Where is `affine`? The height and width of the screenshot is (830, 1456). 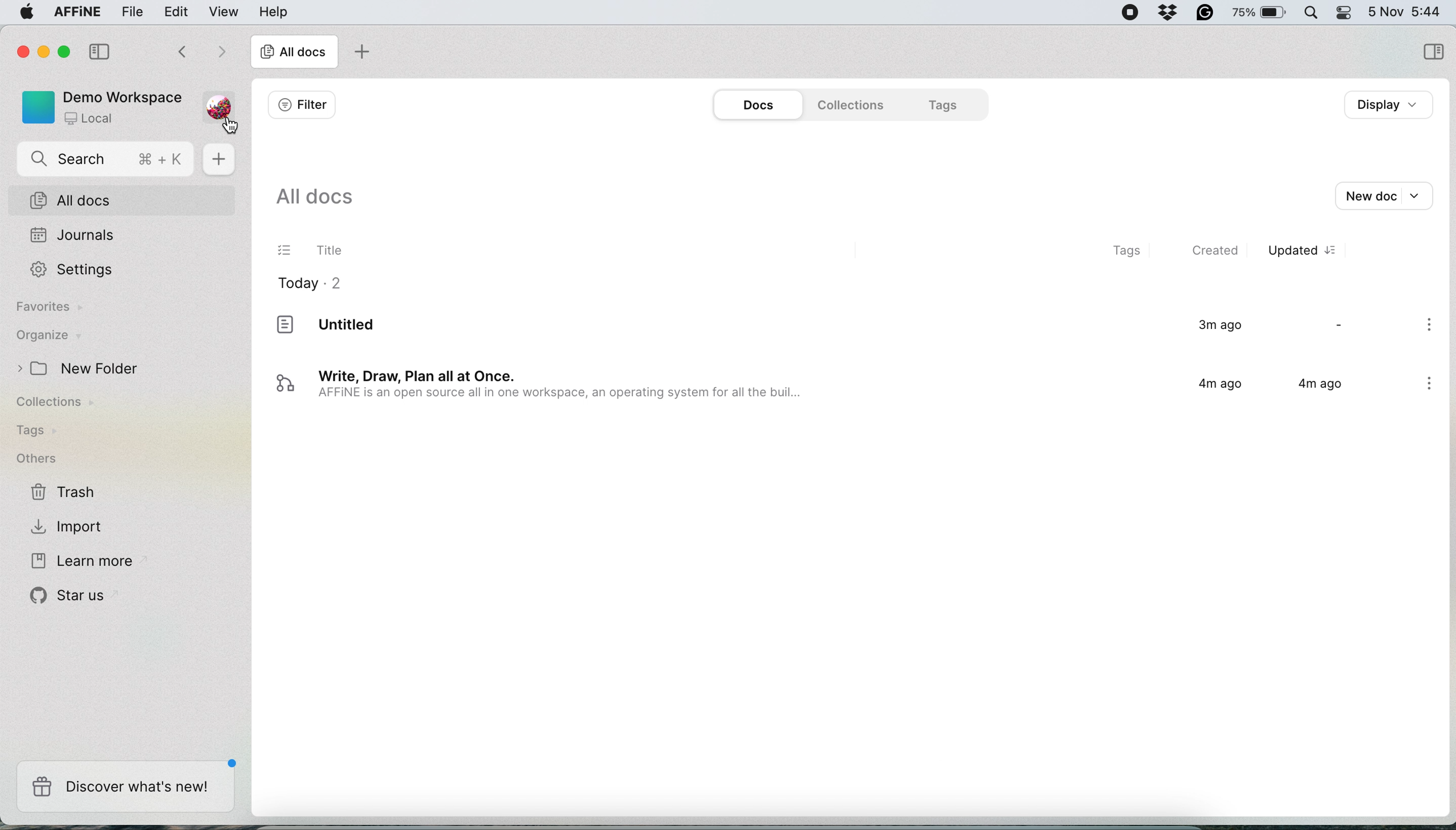
affine is located at coordinates (75, 14).